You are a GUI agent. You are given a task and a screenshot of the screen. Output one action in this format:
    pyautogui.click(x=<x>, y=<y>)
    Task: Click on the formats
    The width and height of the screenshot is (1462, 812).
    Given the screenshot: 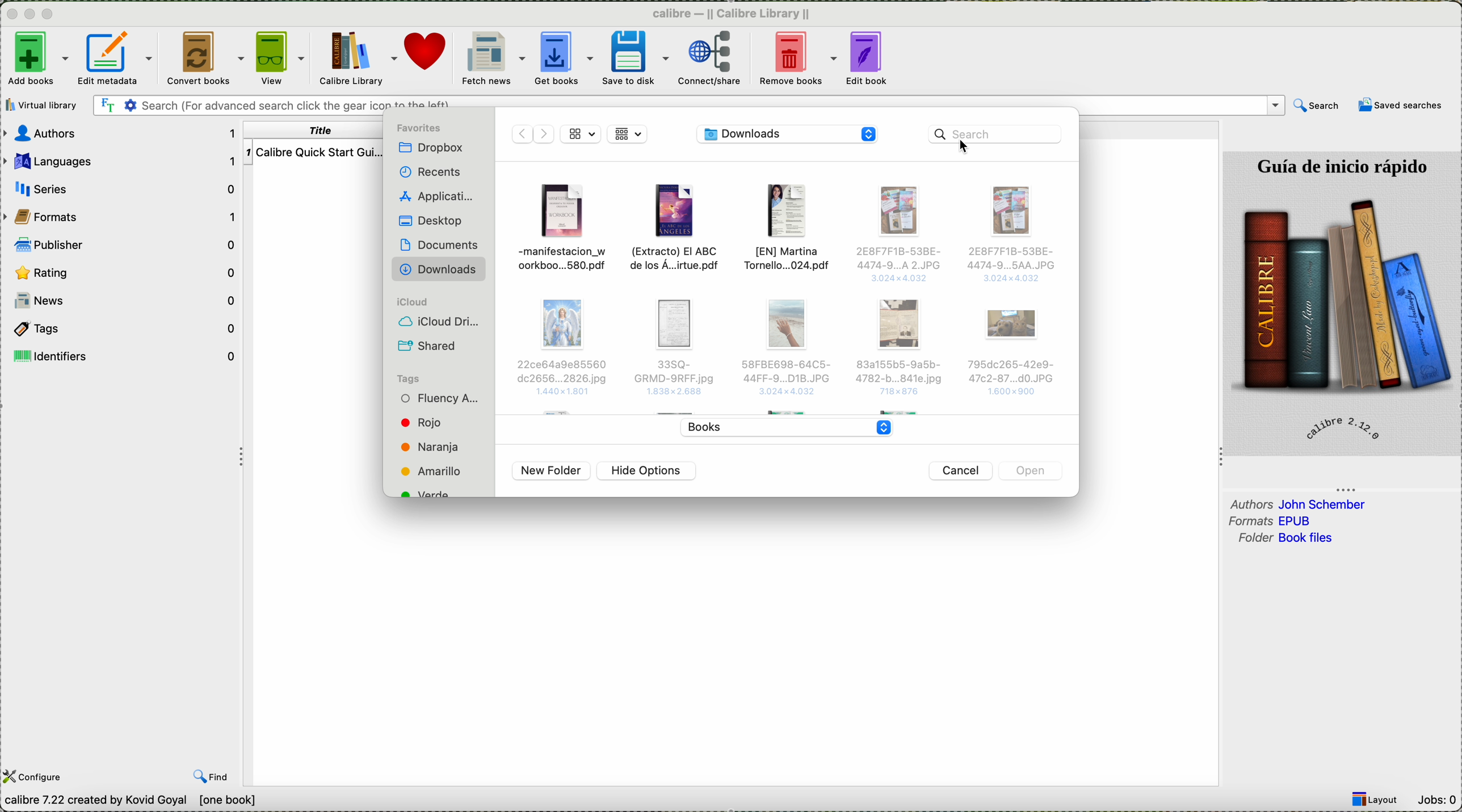 What is the action you would take?
    pyautogui.click(x=1274, y=521)
    